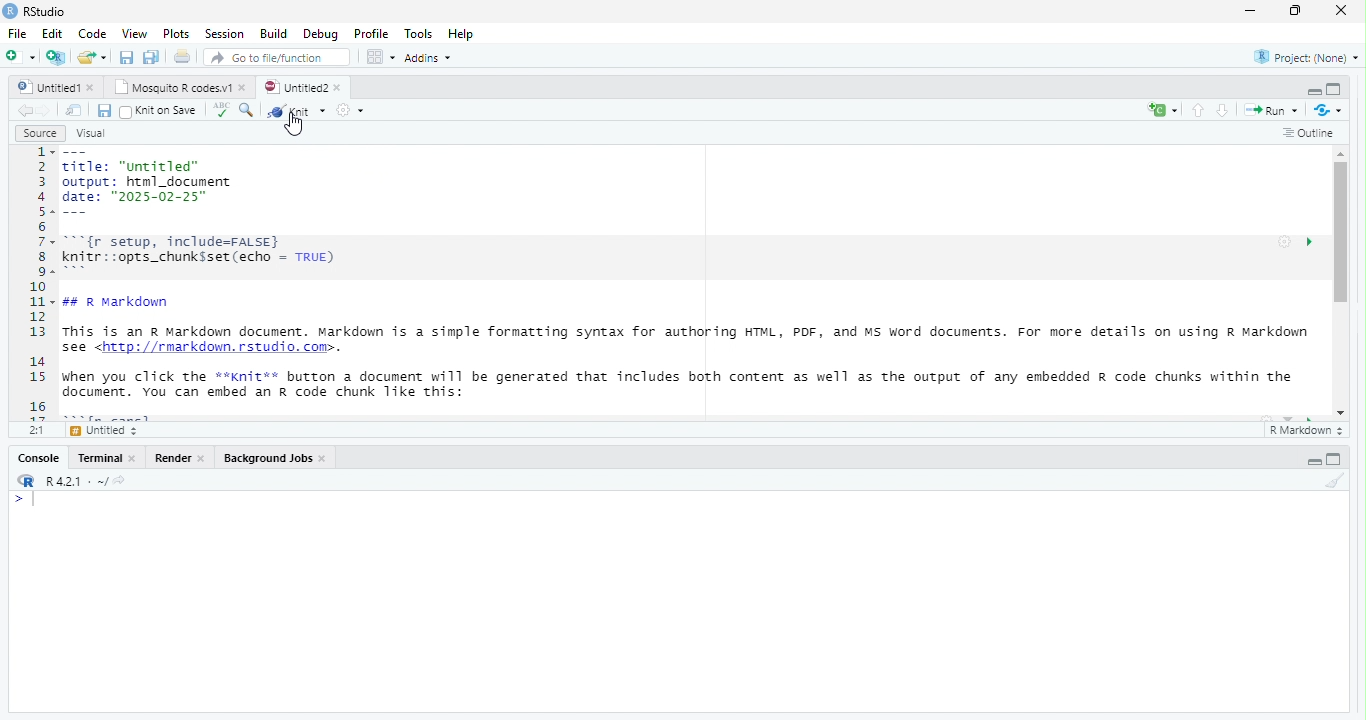 The image size is (1366, 720). What do you see at coordinates (244, 88) in the screenshot?
I see `close` at bounding box center [244, 88].